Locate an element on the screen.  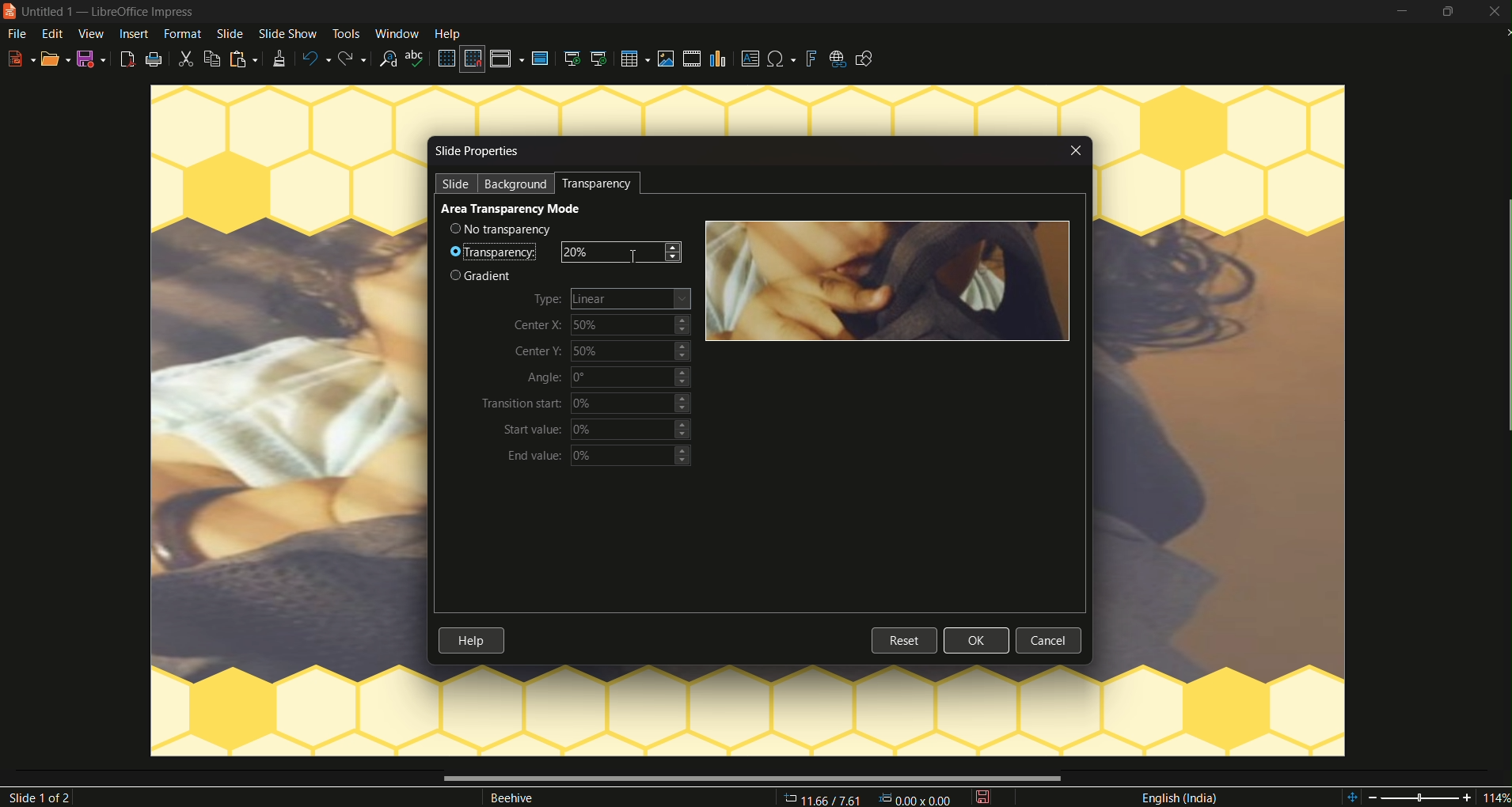
transparency is located at coordinates (498, 252).